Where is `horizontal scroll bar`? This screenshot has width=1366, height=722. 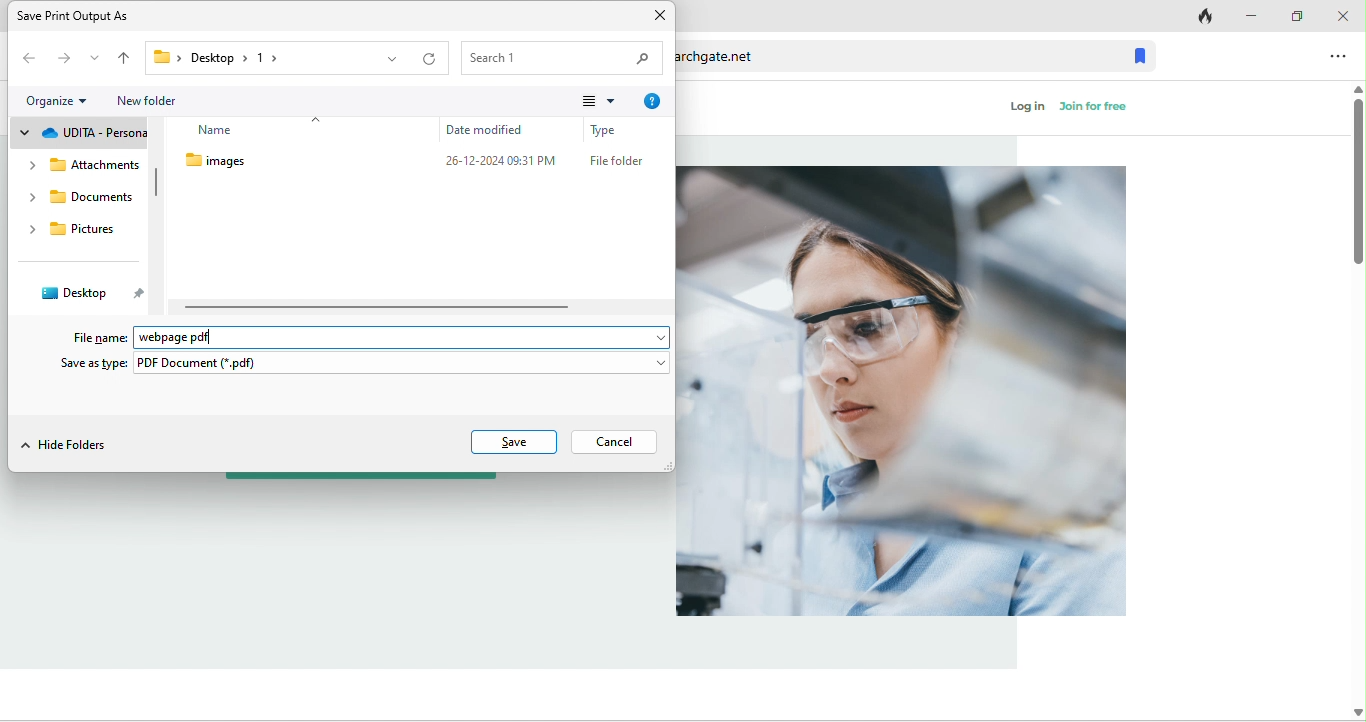 horizontal scroll bar is located at coordinates (377, 307).